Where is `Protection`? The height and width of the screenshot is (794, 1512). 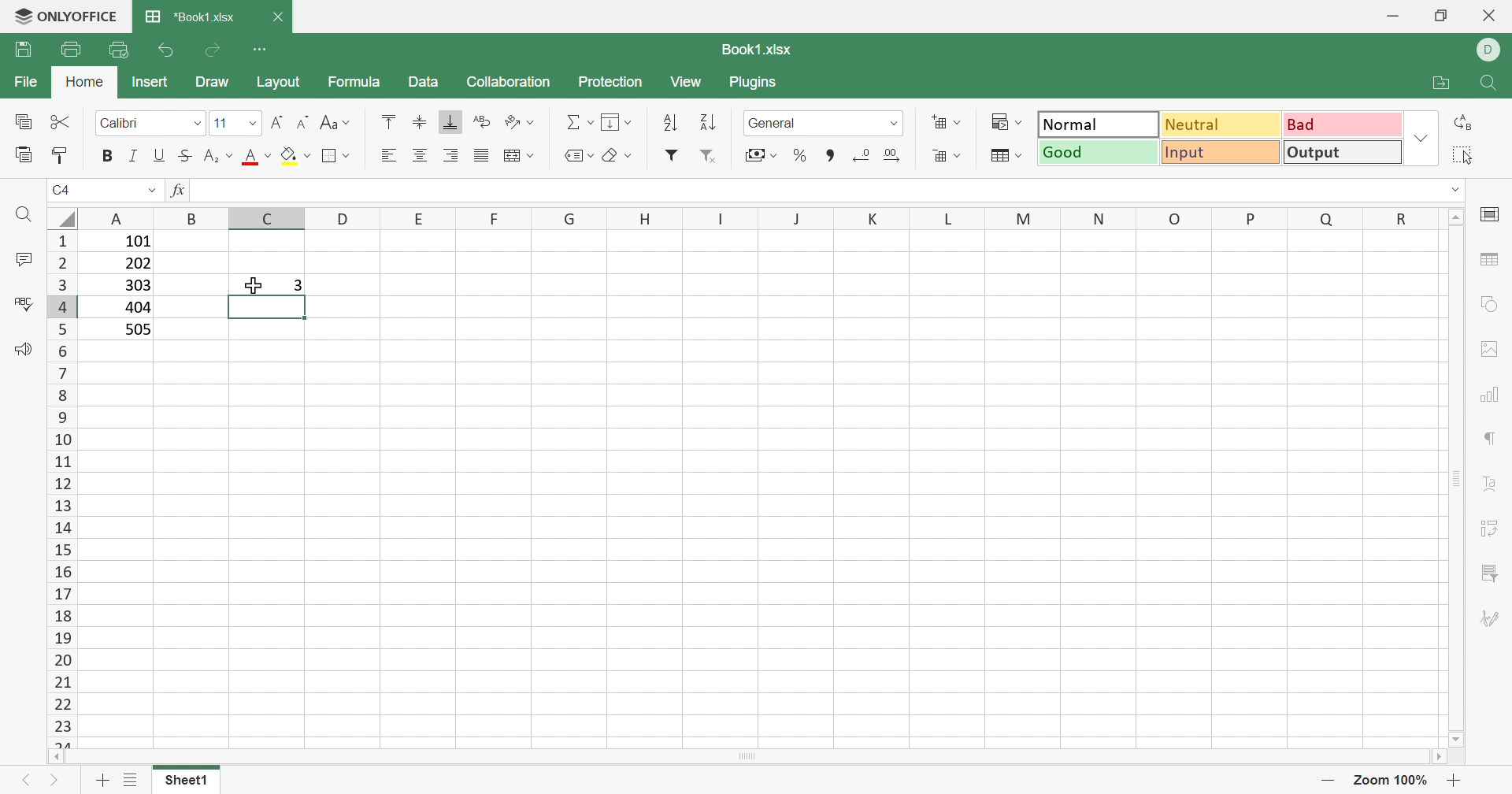 Protection is located at coordinates (609, 83).